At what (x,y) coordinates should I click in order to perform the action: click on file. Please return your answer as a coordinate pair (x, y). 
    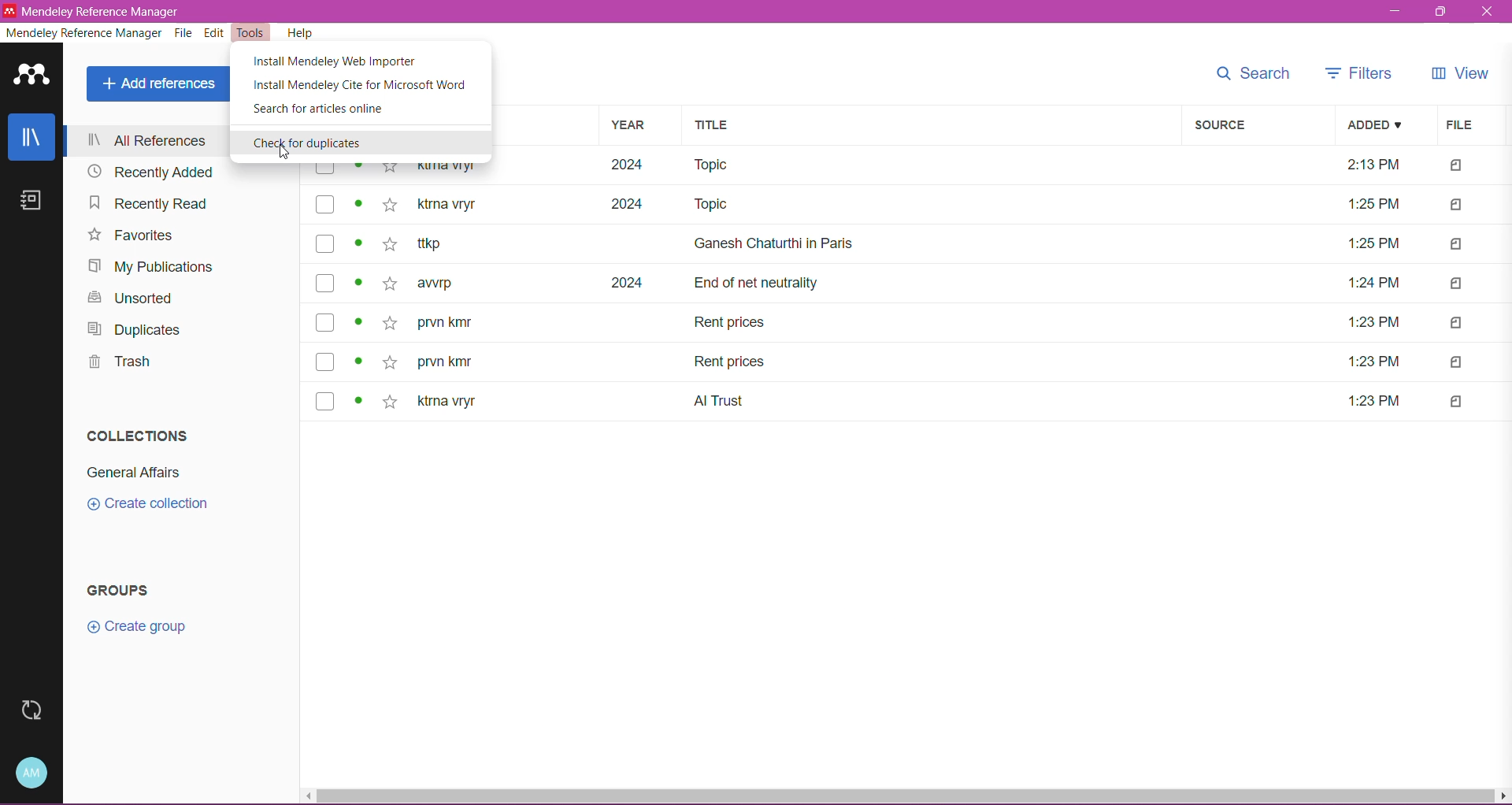
    Looking at the image, I should click on (1377, 284).